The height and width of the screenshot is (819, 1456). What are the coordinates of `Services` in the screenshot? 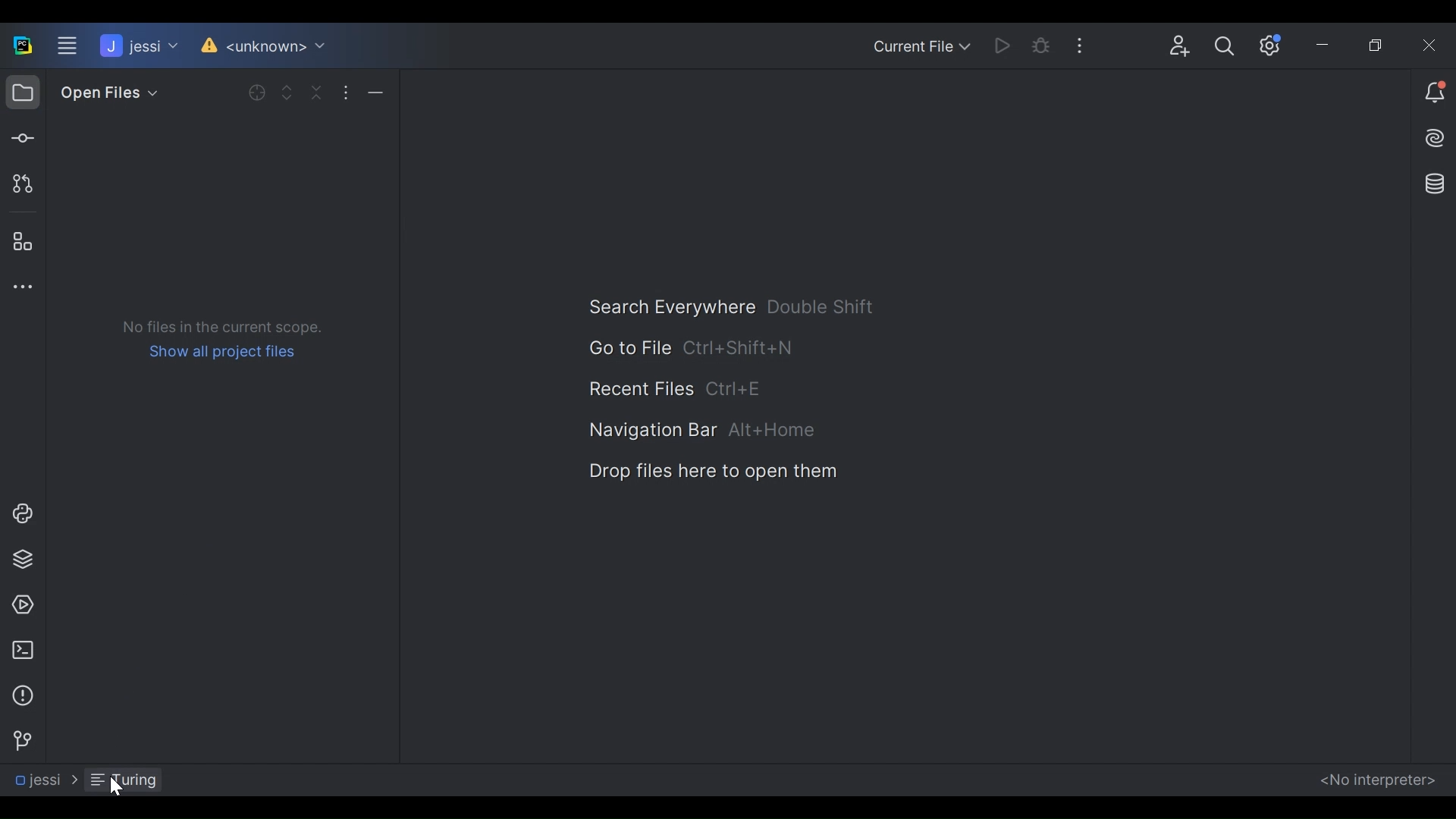 It's located at (18, 605).